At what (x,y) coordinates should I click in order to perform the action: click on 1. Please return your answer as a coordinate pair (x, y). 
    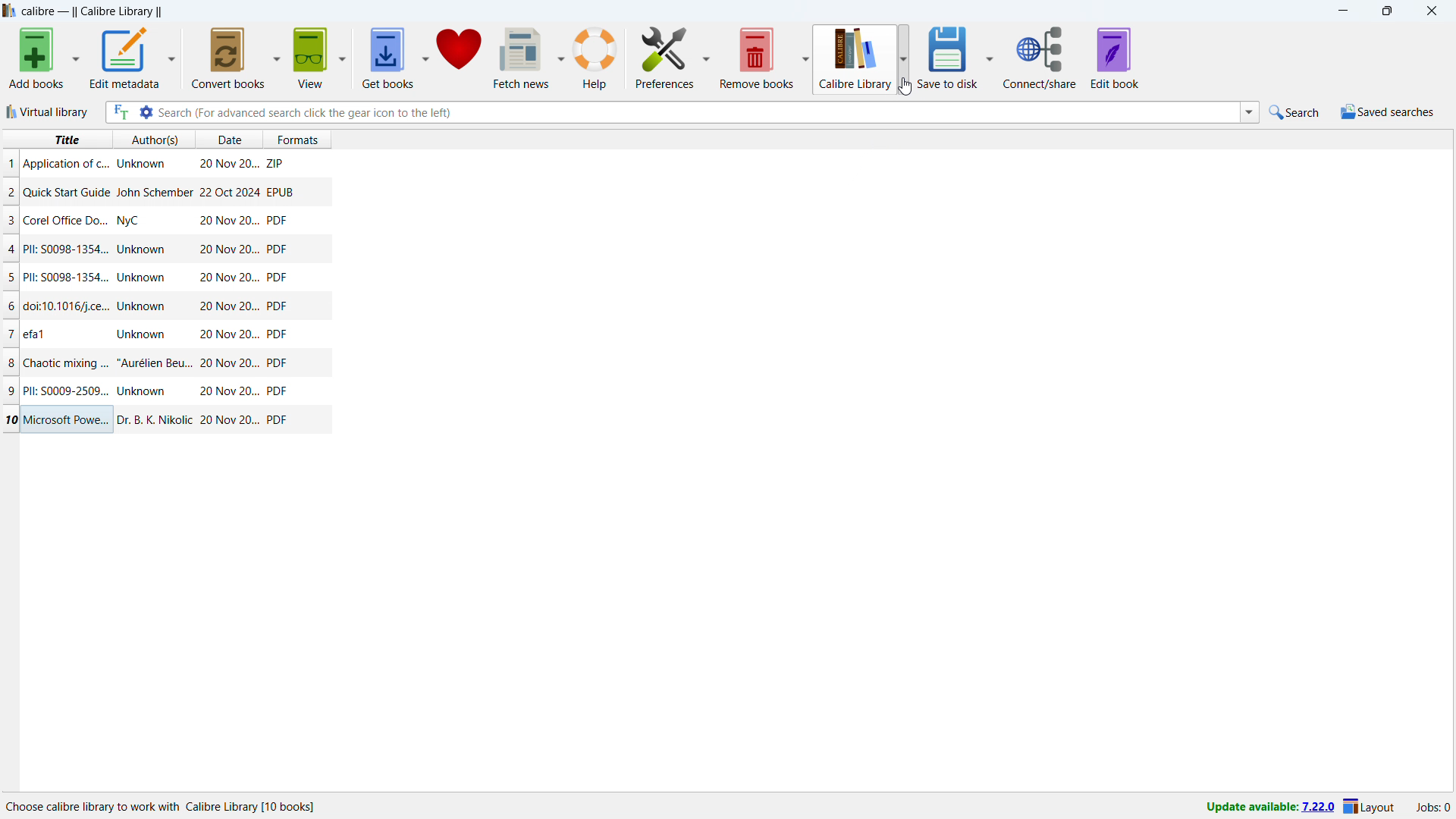
    Looking at the image, I should click on (11, 163).